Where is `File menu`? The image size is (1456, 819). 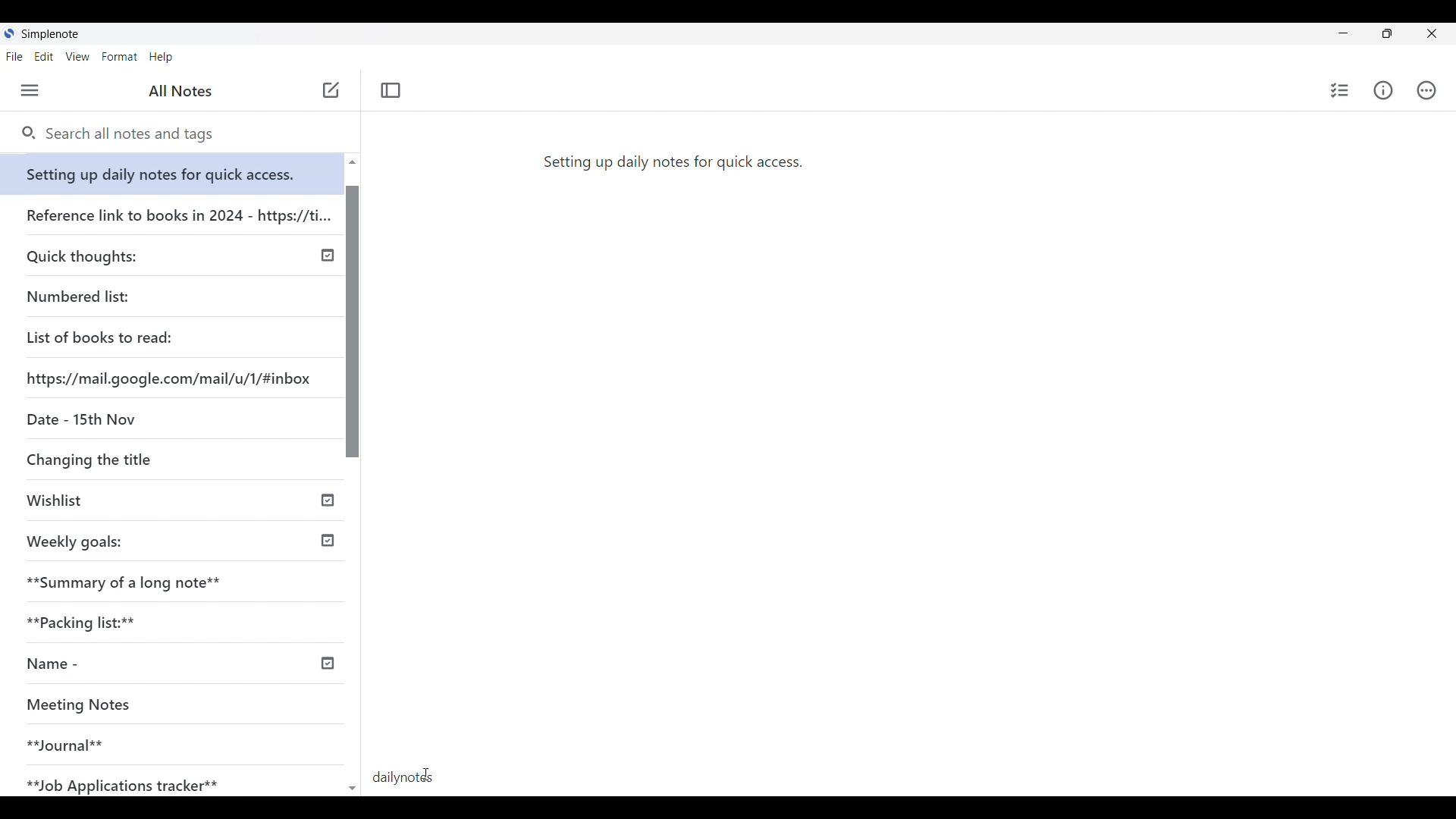 File menu is located at coordinates (14, 57).